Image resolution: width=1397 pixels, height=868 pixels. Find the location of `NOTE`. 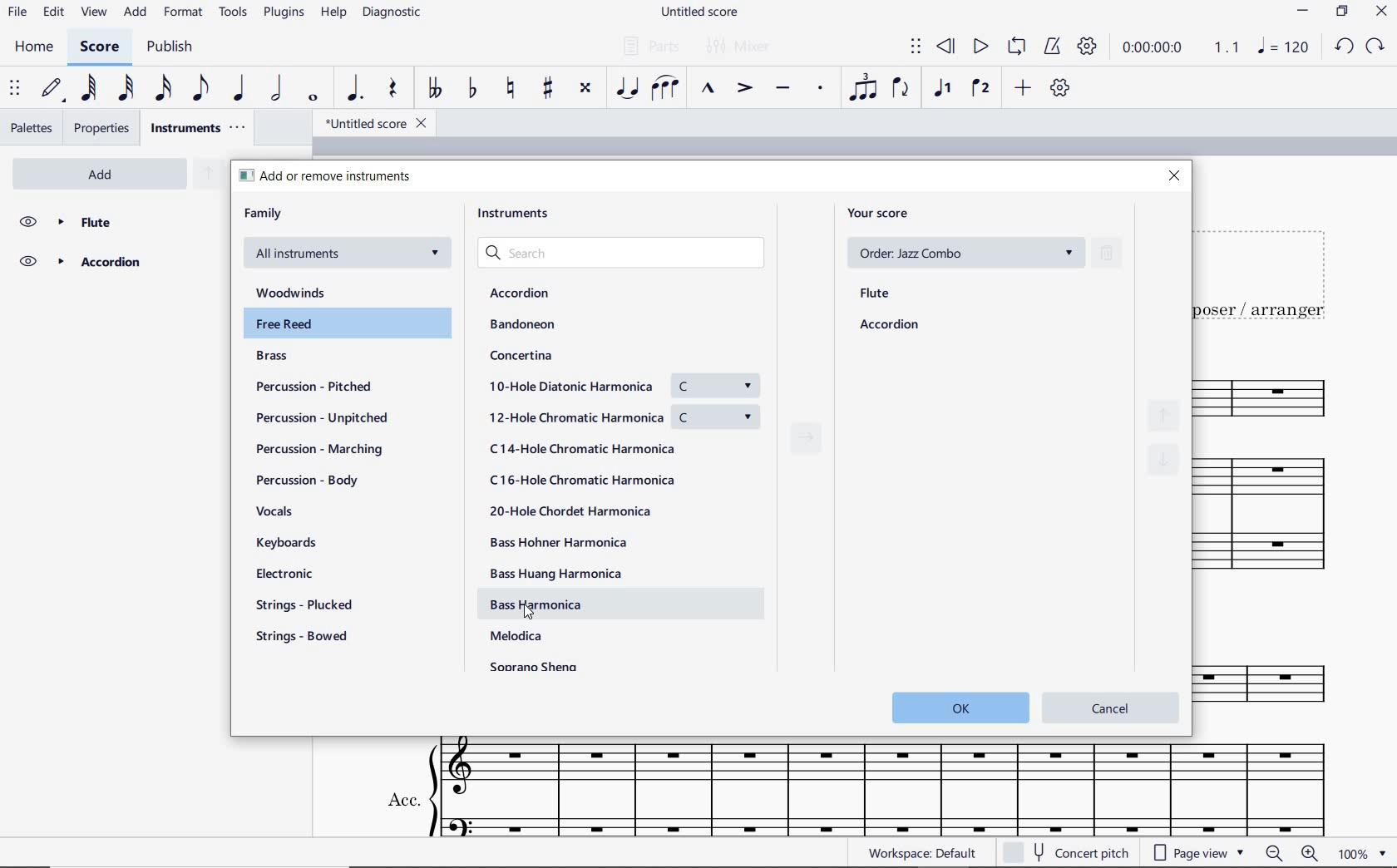

NOTE is located at coordinates (1284, 49).